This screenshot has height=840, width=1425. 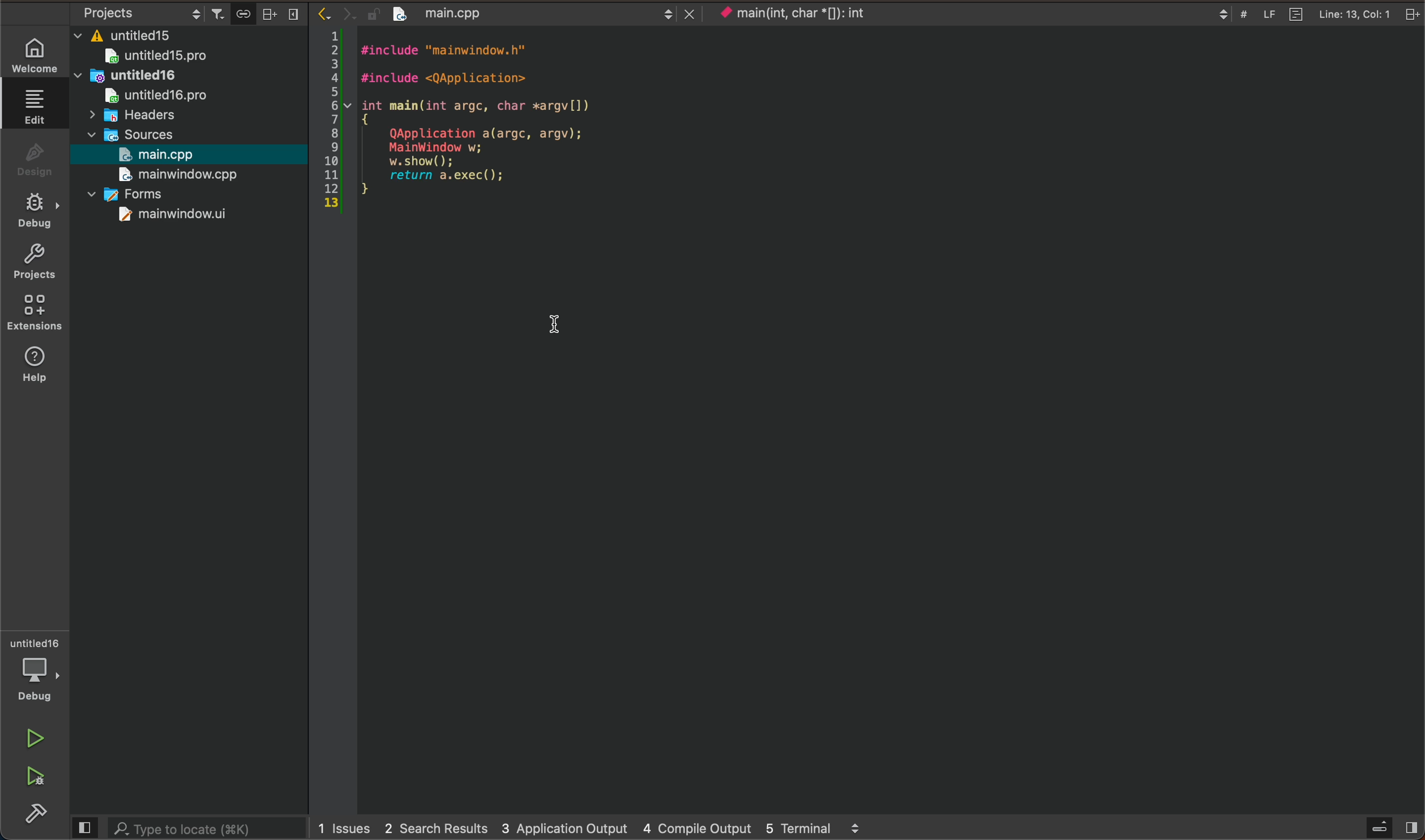 I want to click on forms, so click(x=136, y=194).